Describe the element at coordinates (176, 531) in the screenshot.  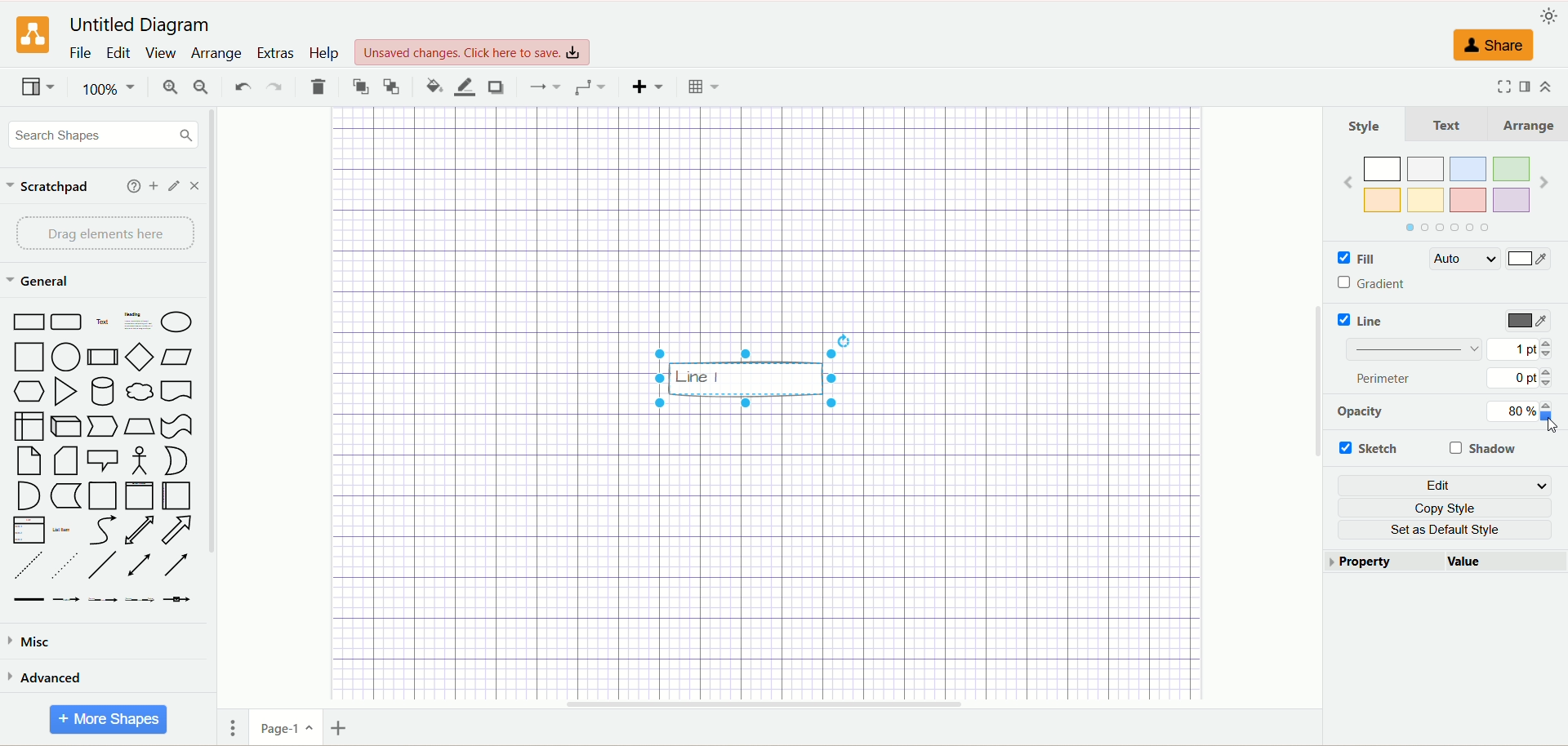
I see `Arrow` at that location.